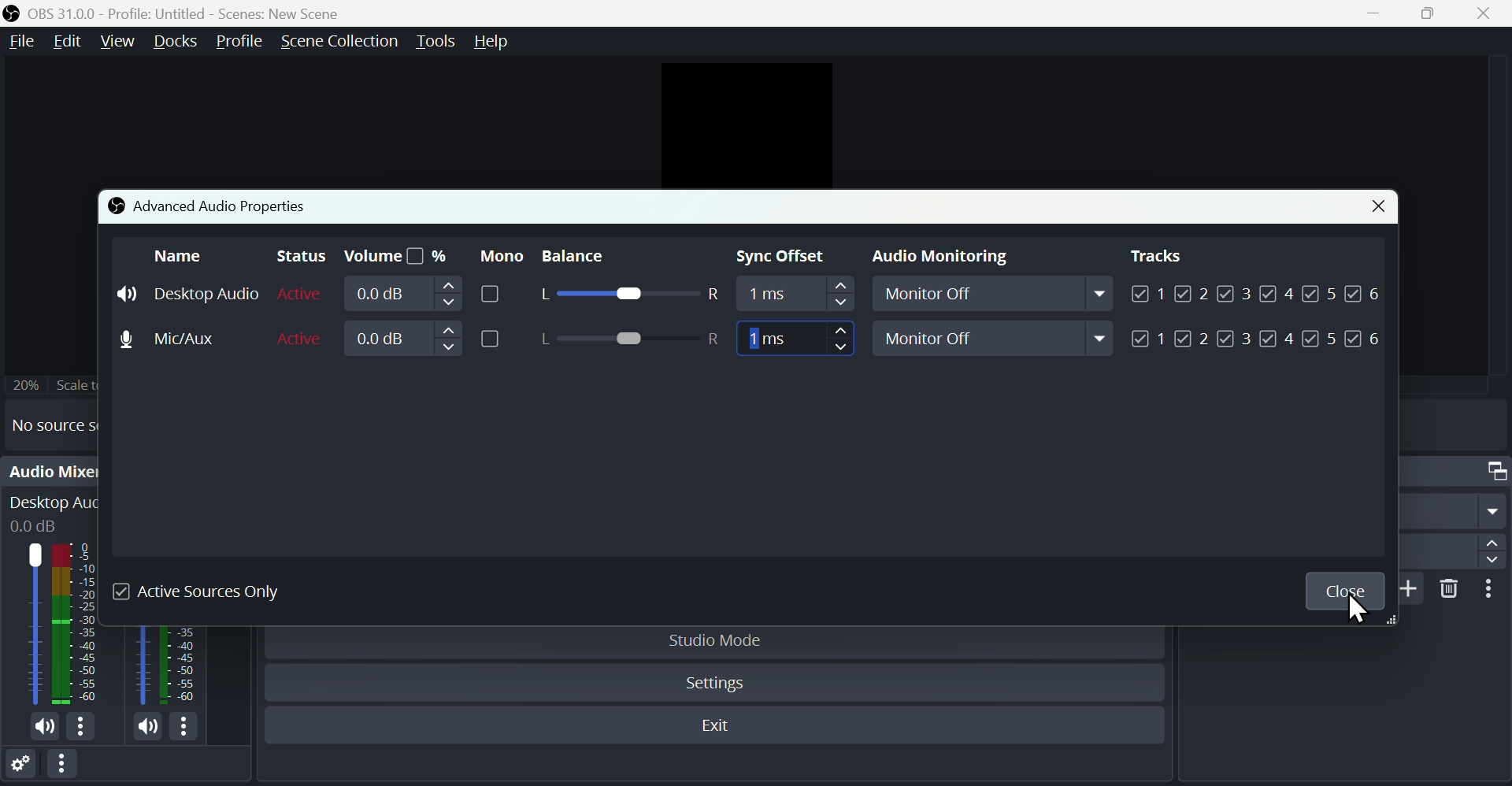 This screenshot has width=1512, height=786. What do you see at coordinates (428, 294) in the screenshot?
I see `Volume` at bounding box center [428, 294].